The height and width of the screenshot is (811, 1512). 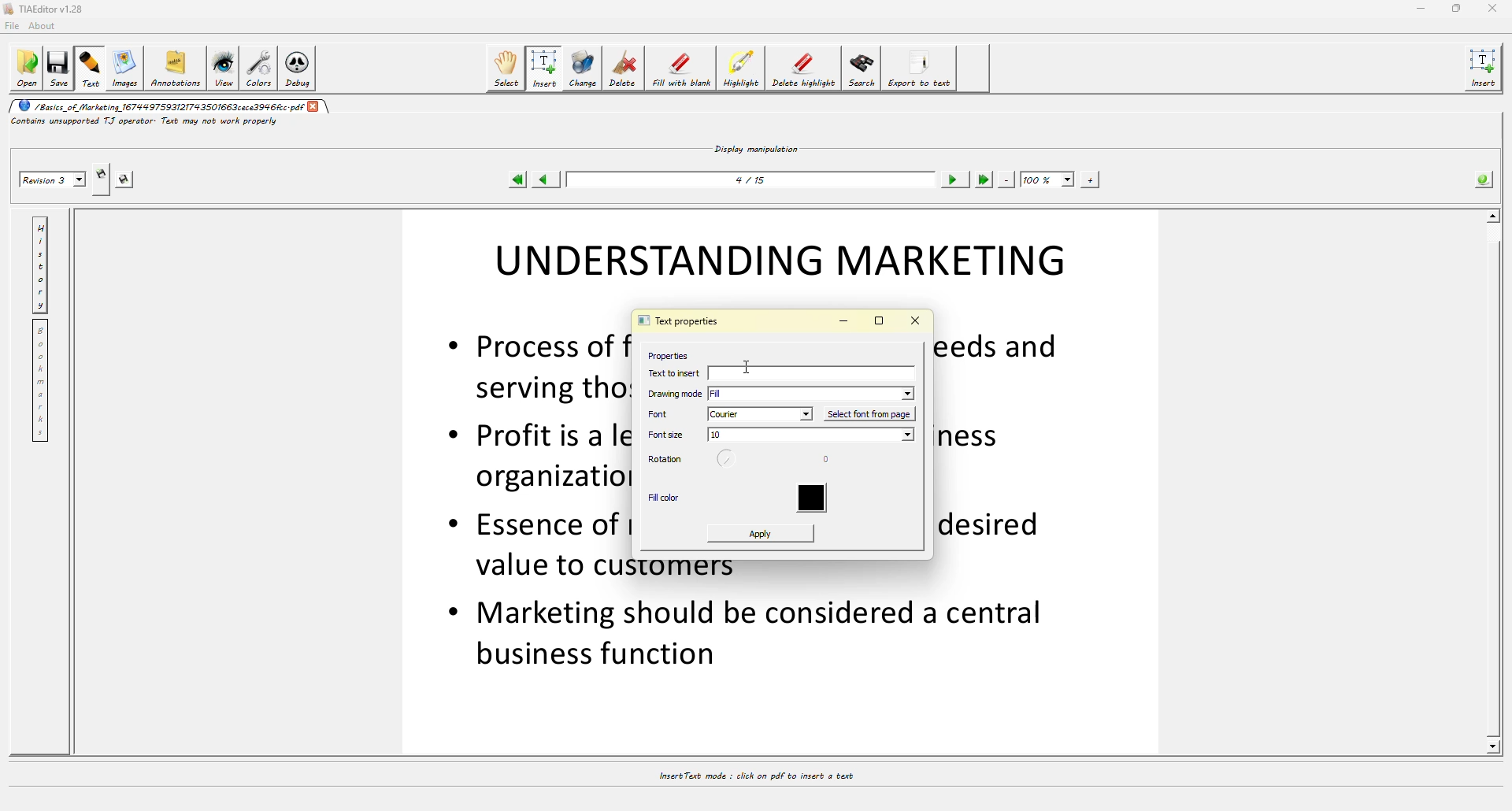 I want to click on close, so click(x=316, y=106).